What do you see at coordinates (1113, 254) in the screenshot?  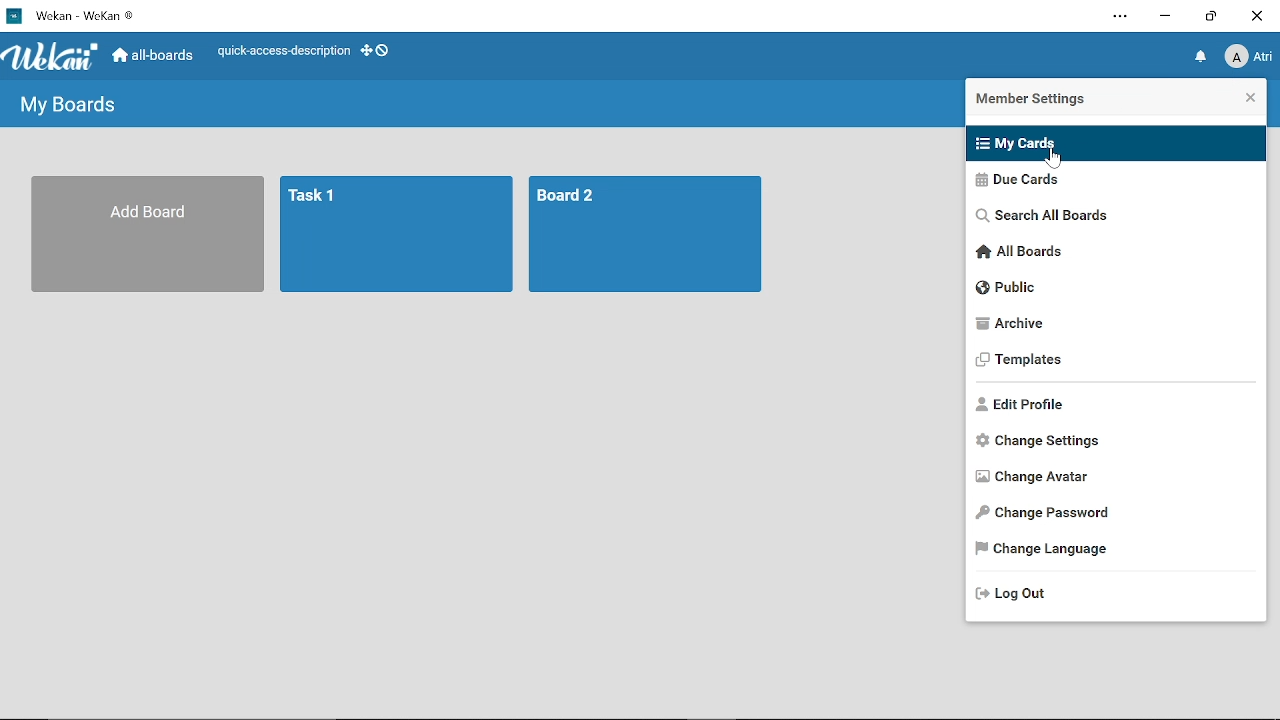 I see `All boards` at bounding box center [1113, 254].